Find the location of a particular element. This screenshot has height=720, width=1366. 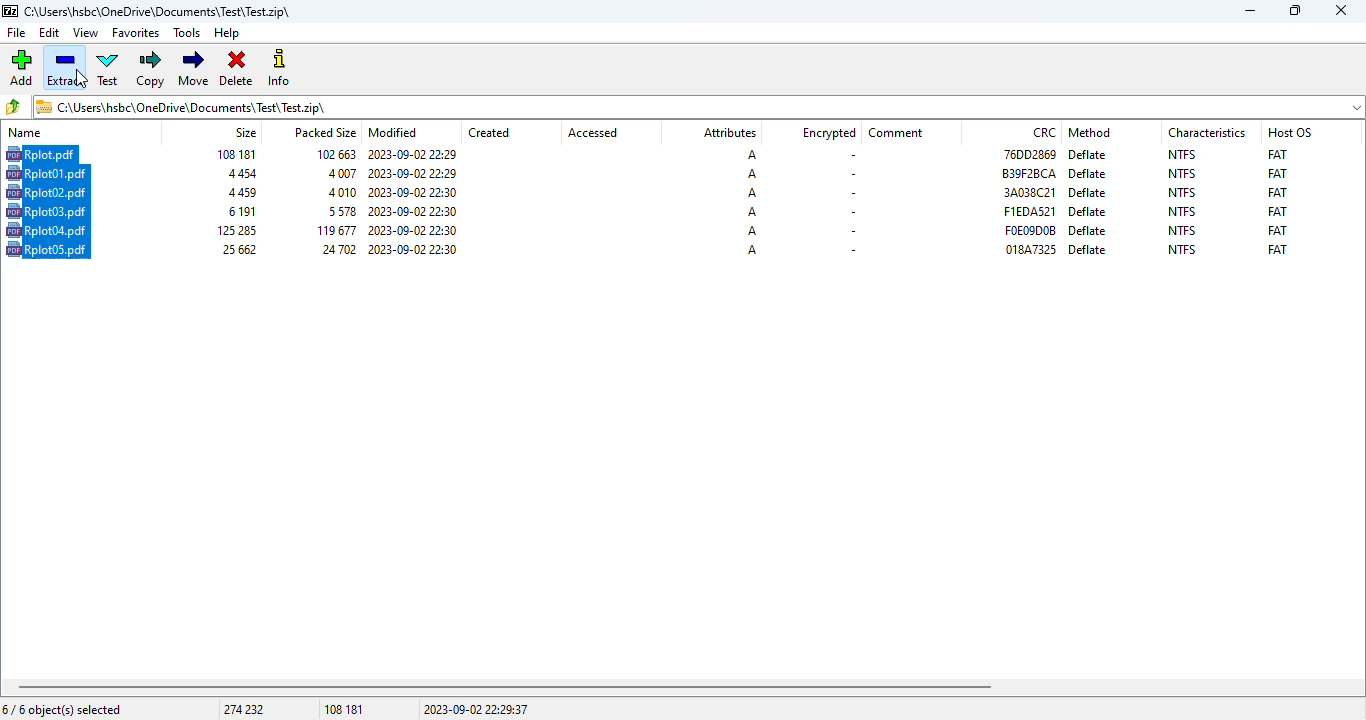

- is located at coordinates (850, 213).